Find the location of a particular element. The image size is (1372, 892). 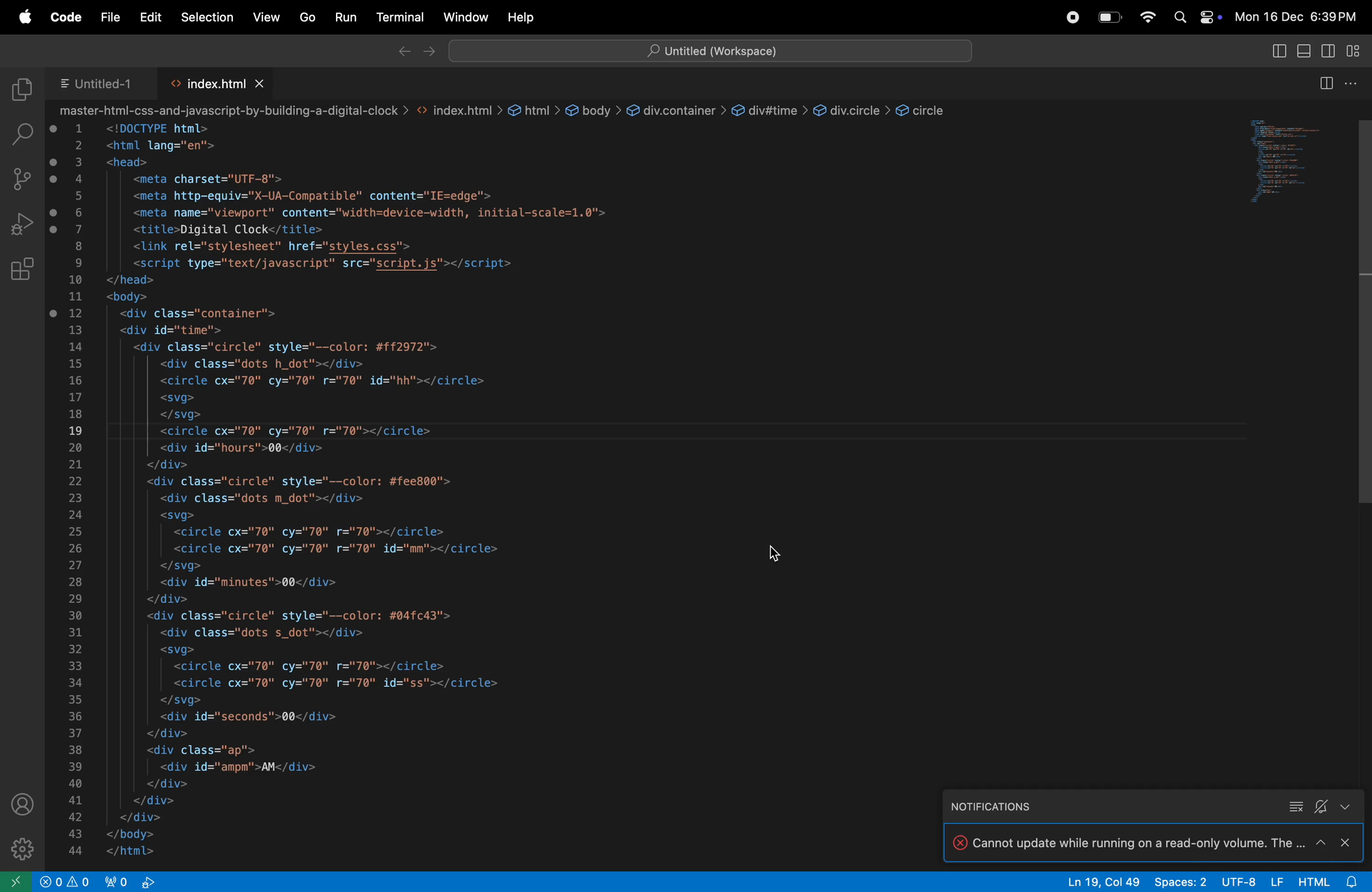

notifications is located at coordinates (1001, 806).